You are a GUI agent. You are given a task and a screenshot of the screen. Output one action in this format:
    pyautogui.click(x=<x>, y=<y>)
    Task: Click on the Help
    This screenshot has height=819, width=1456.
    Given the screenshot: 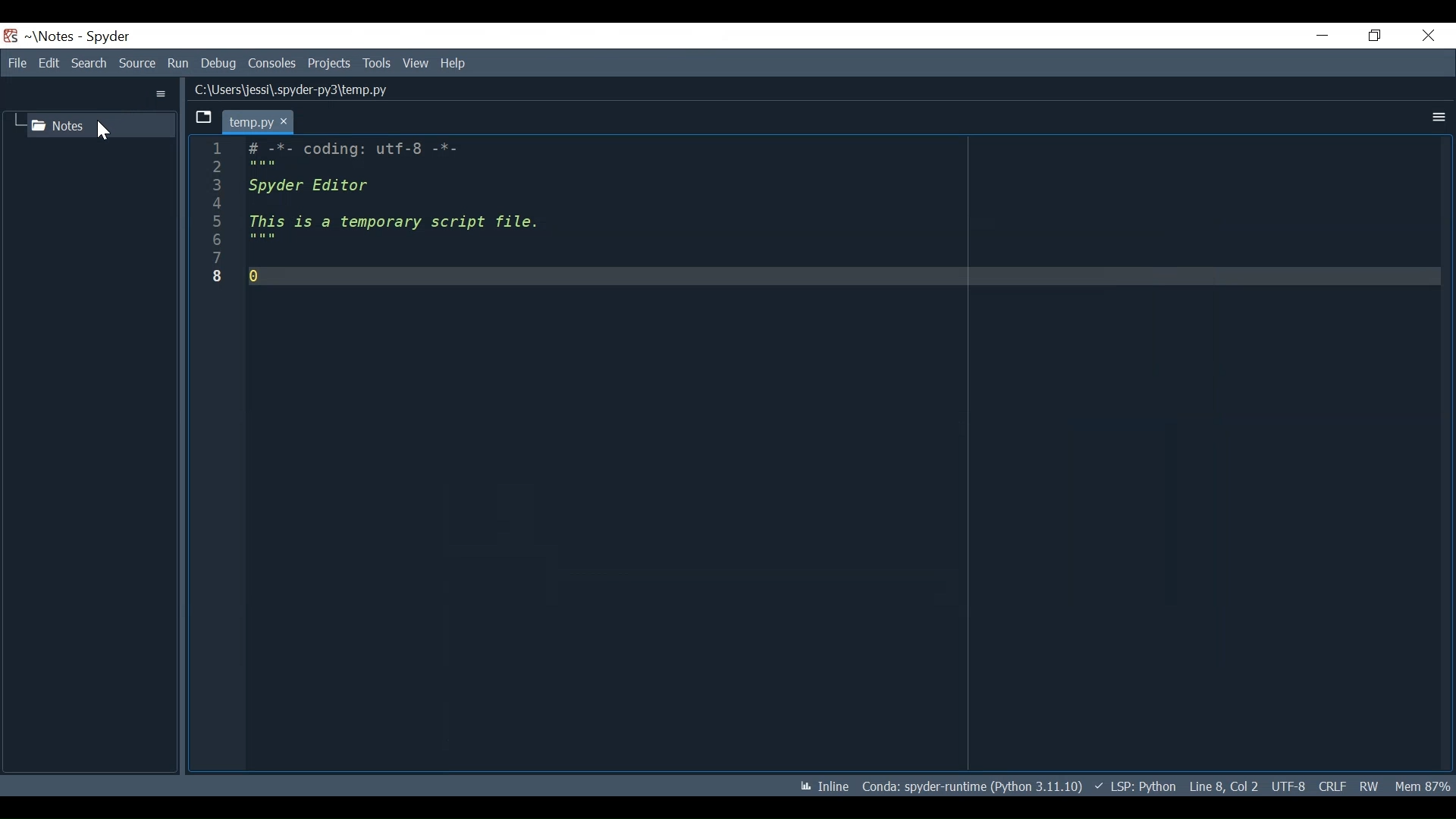 What is the action you would take?
    pyautogui.click(x=453, y=64)
    